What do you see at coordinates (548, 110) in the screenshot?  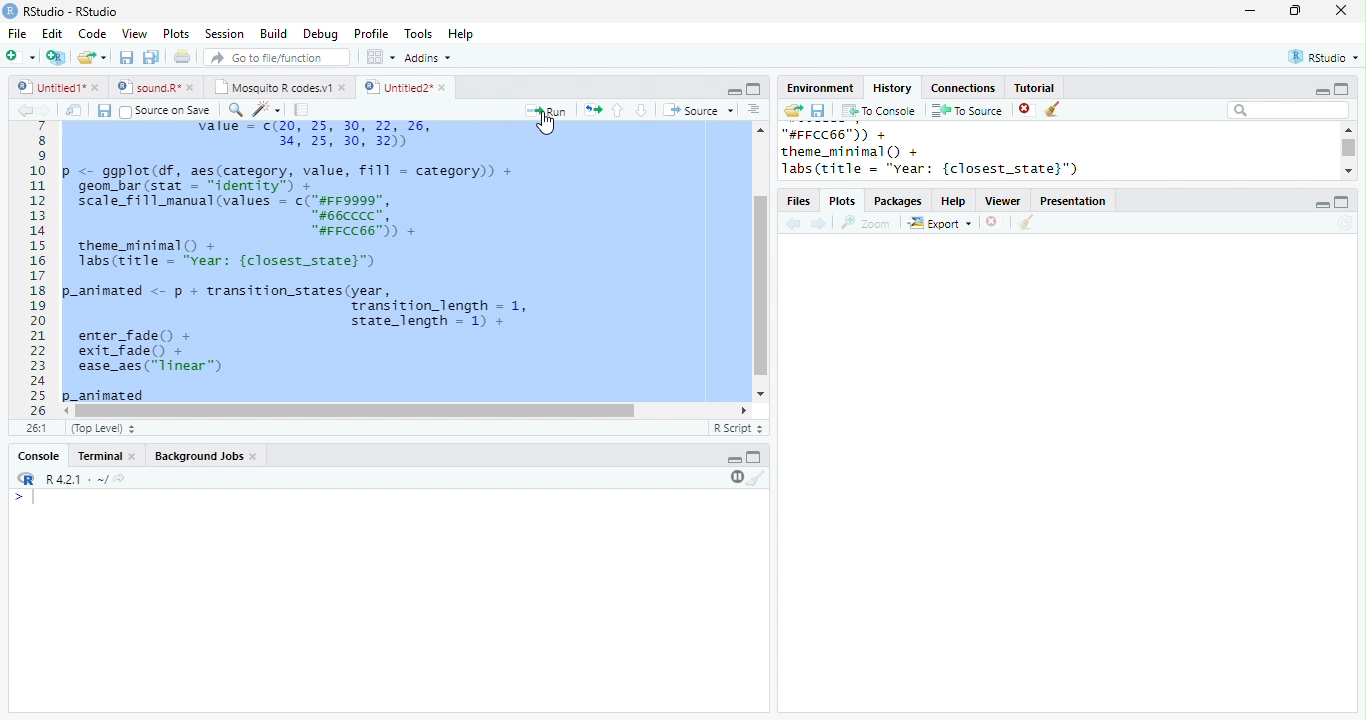 I see `Run` at bounding box center [548, 110].